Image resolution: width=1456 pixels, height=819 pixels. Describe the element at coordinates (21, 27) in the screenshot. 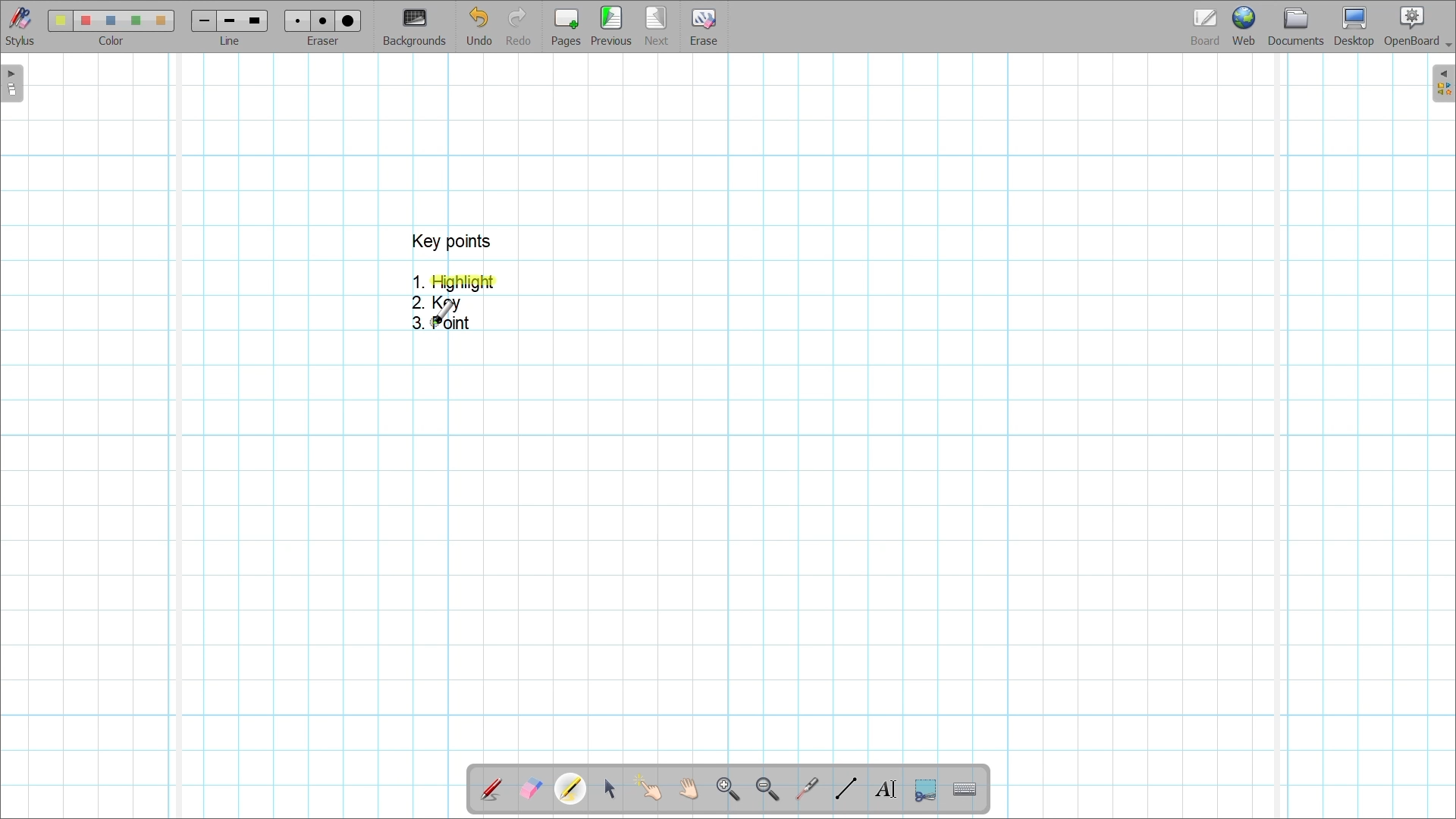

I see `Stylus menu at the bottom of the page` at that location.